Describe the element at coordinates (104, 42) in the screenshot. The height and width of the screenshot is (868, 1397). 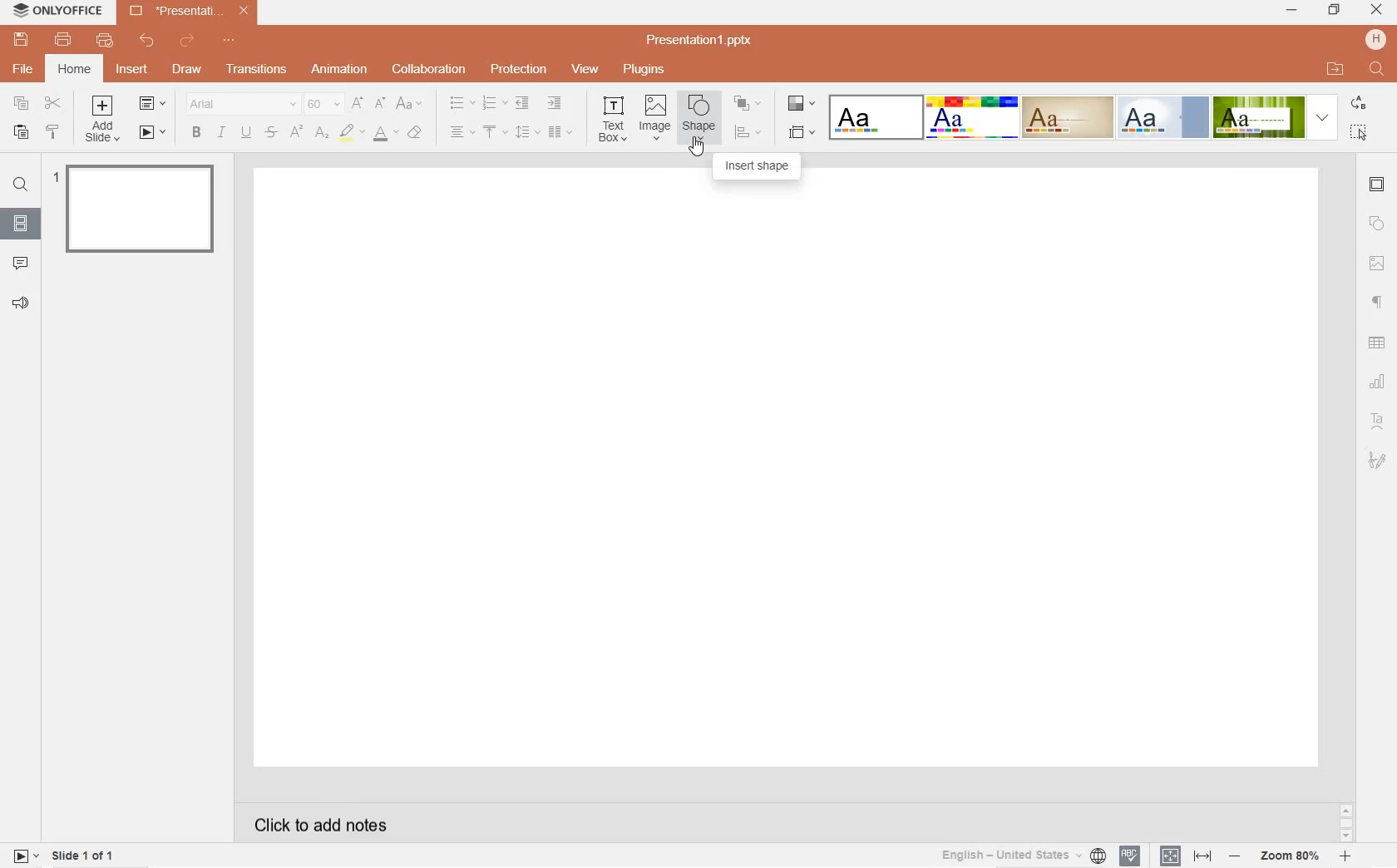
I see `quick print` at that location.